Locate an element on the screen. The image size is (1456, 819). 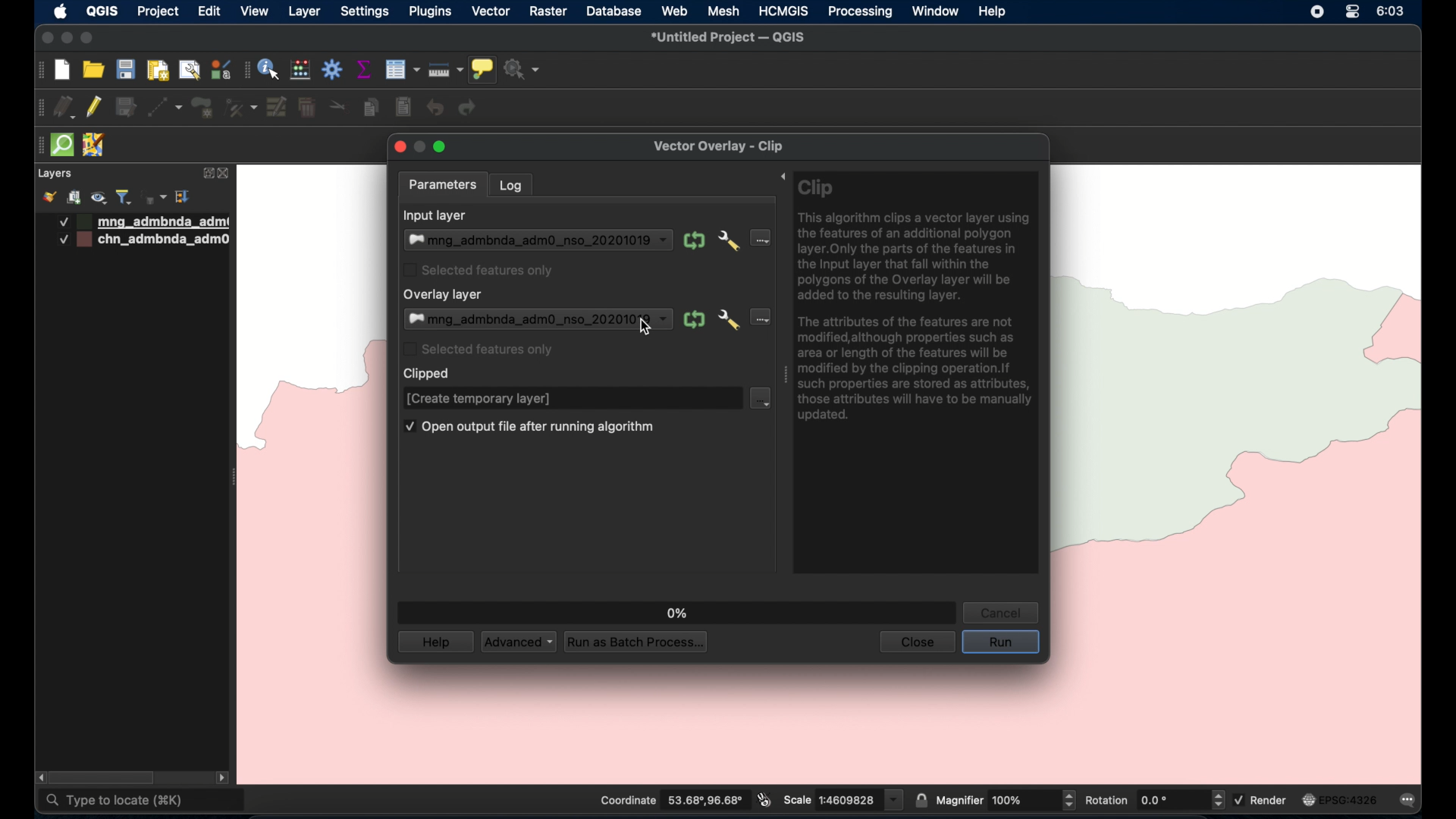
render is located at coordinates (1263, 799).